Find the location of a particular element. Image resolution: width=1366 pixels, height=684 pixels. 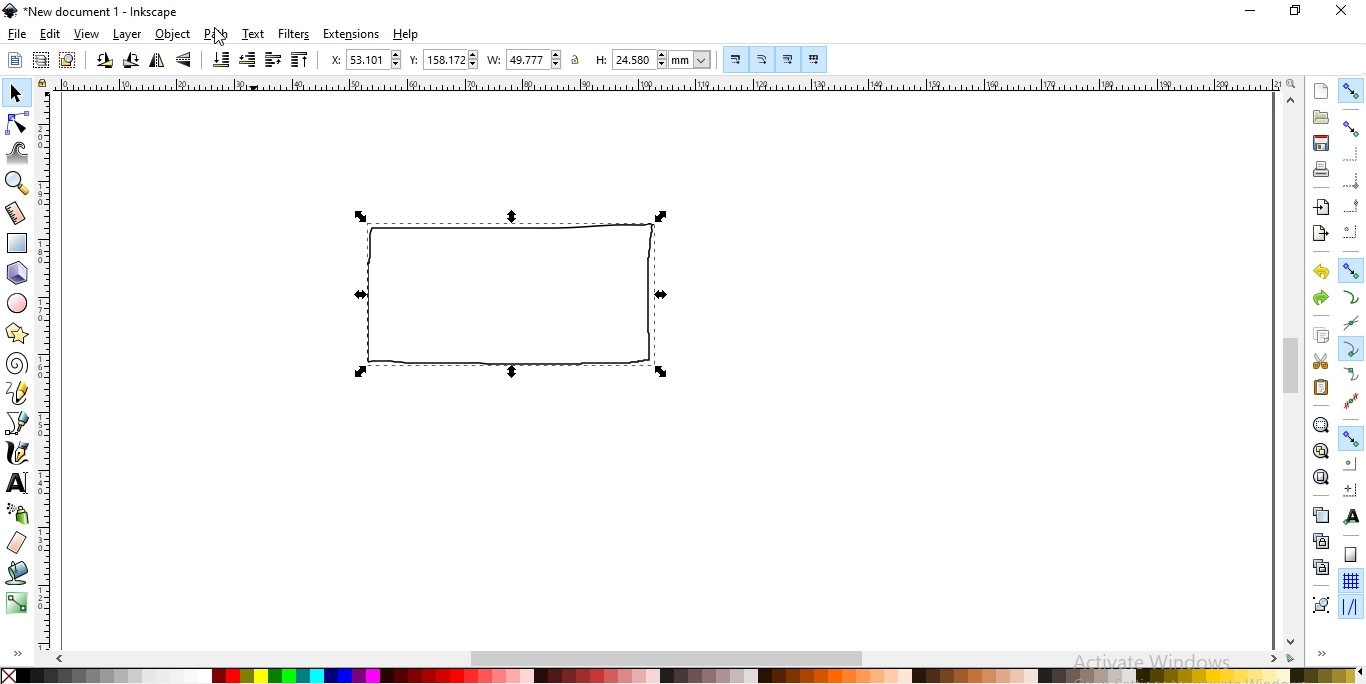

 is located at coordinates (1352, 437).